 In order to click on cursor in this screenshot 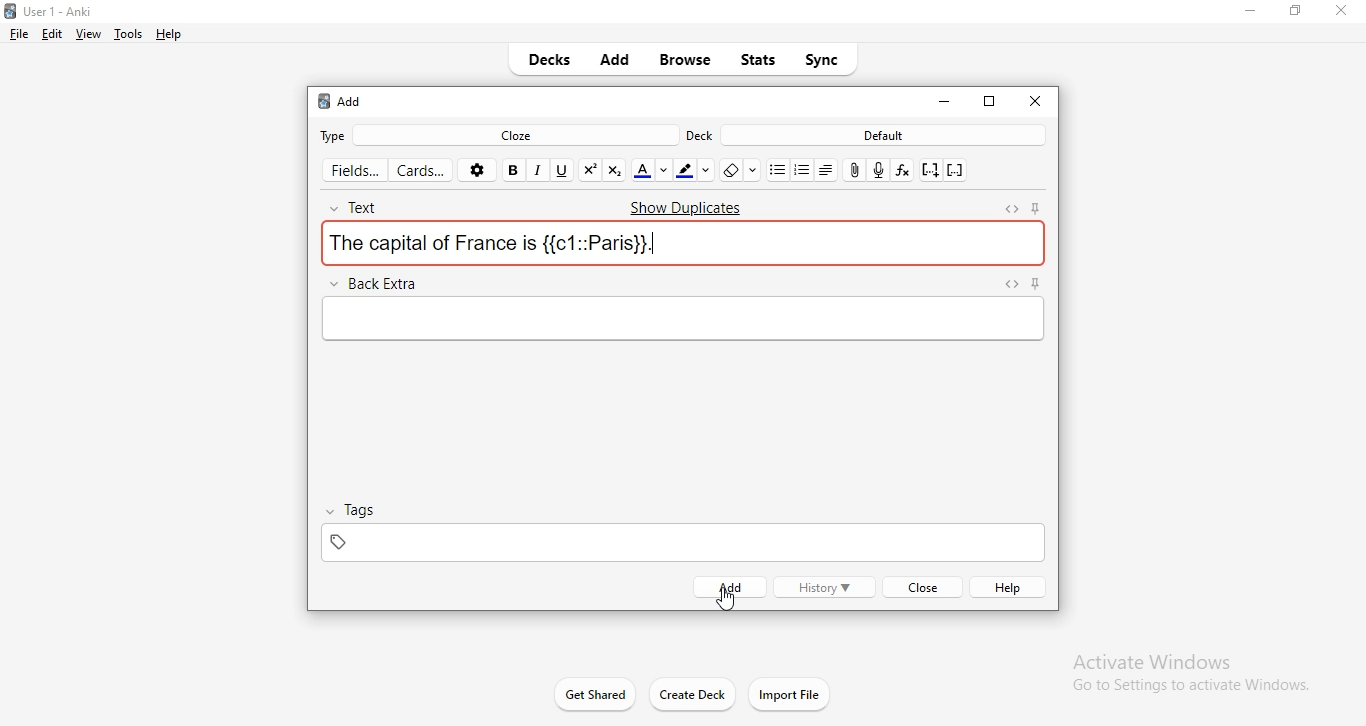, I will do `click(724, 591)`.